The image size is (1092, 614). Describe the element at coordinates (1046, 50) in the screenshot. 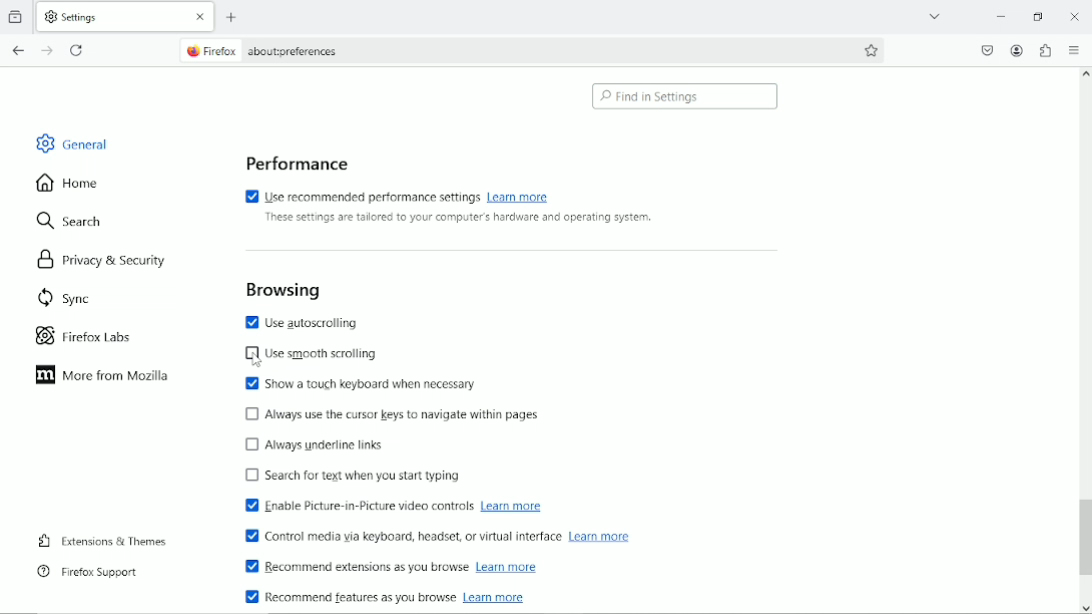

I see `extensions` at that location.